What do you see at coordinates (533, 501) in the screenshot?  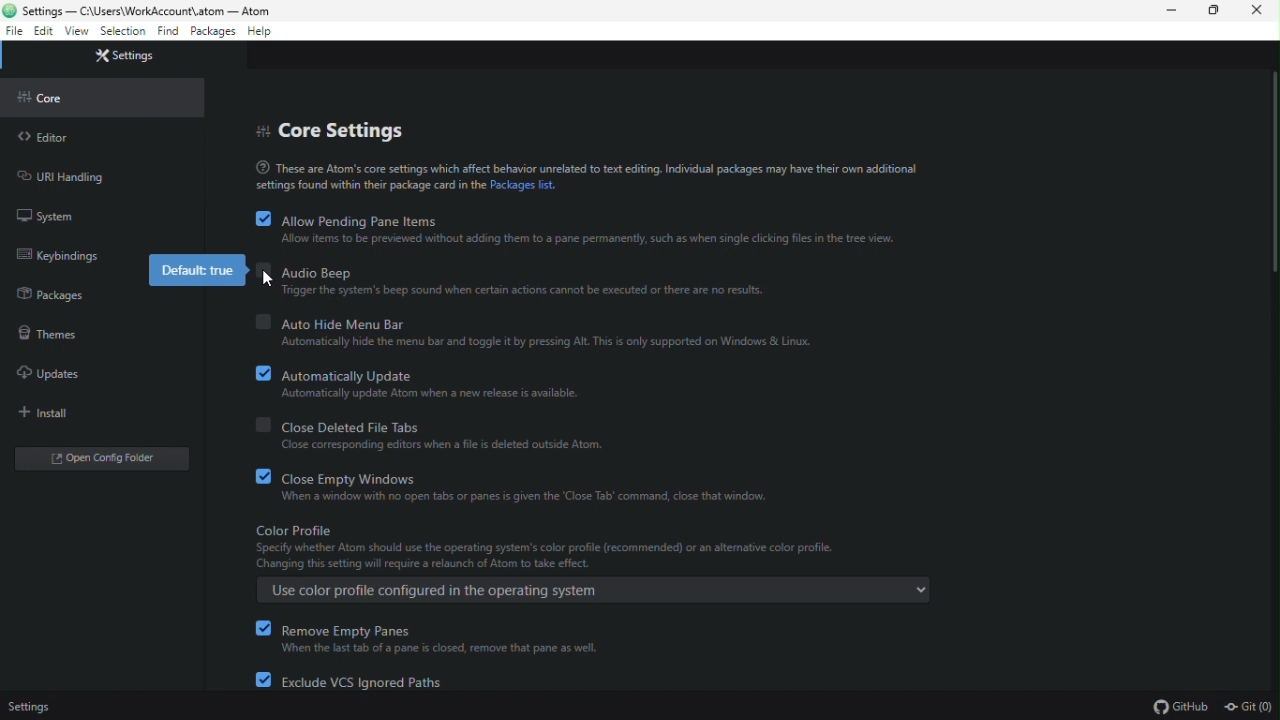 I see `When a window with no open tabs or panes is given the 'Close tab' command, close that window.` at bounding box center [533, 501].